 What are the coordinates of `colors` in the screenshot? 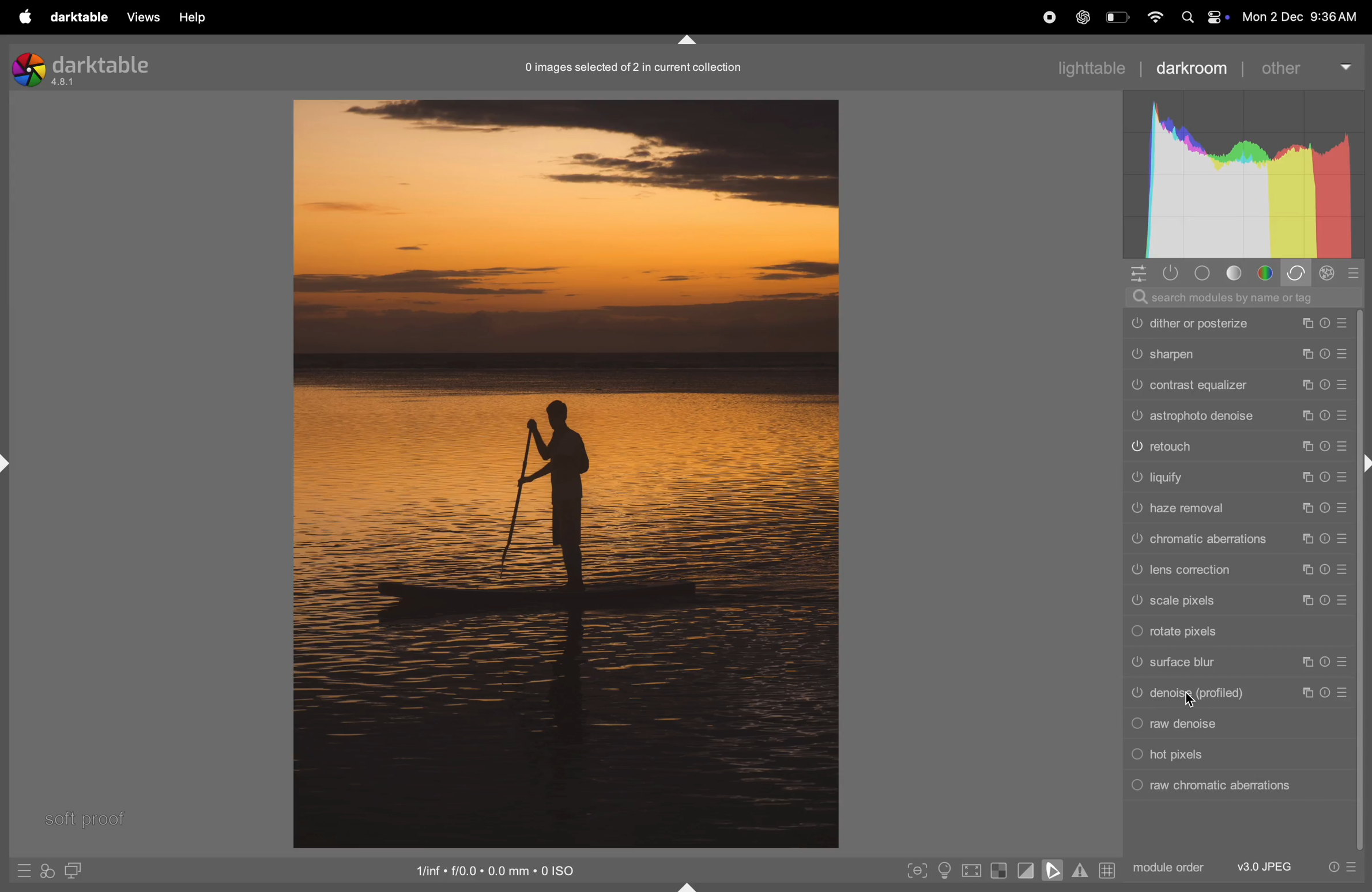 It's located at (1267, 273).